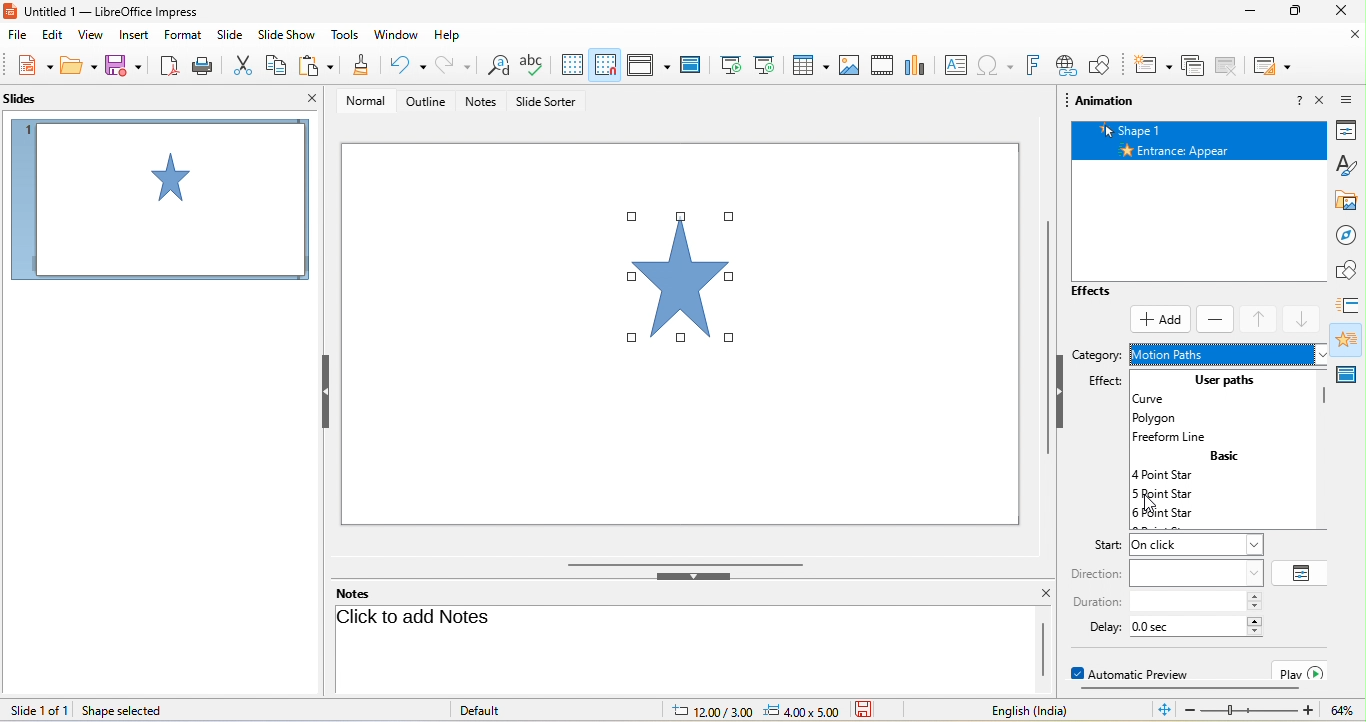 This screenshot has width=1366, height=722. I want to click on slide layout, so click(1273, 67).